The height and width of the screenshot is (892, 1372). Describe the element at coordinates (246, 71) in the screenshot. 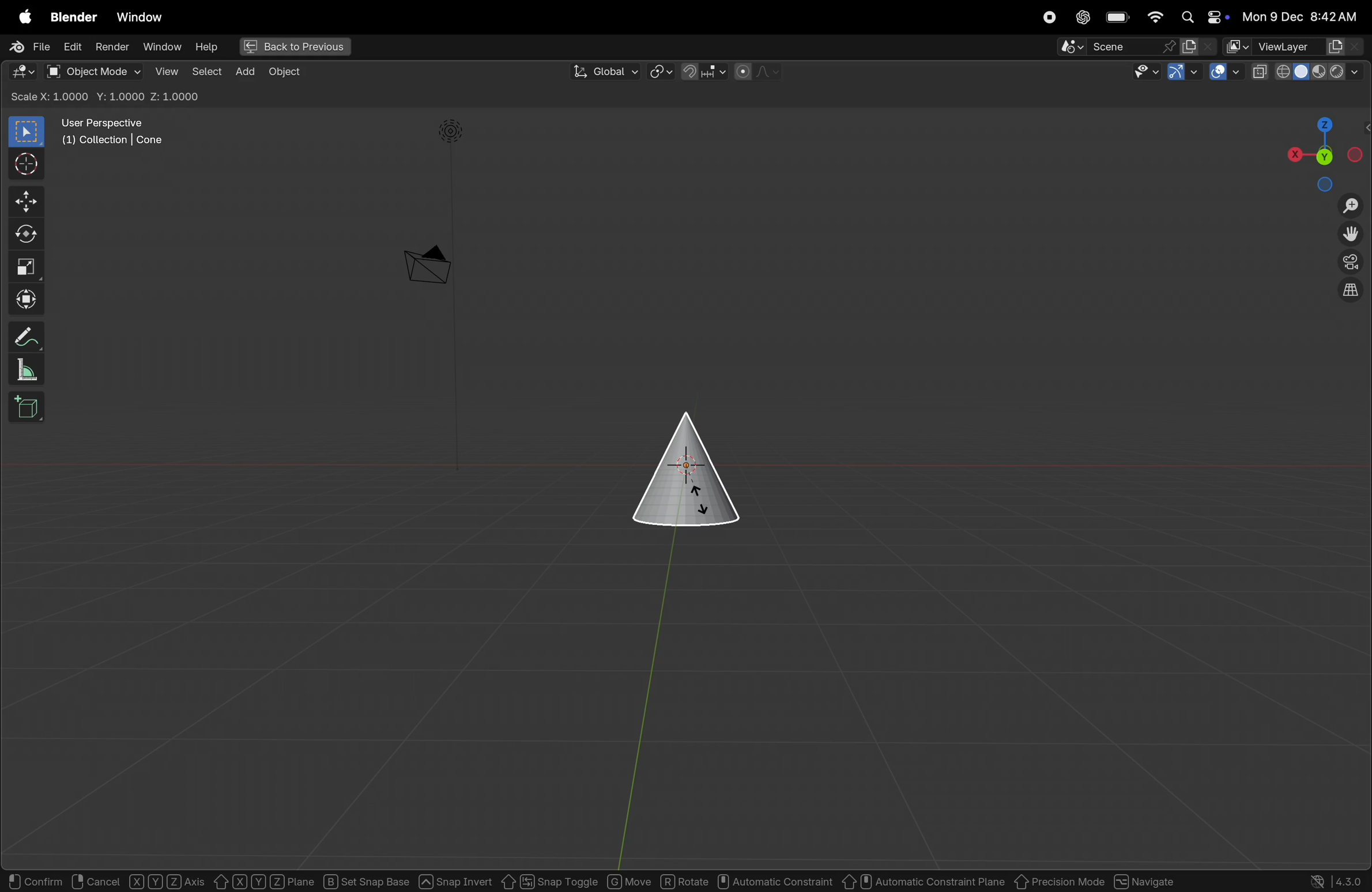

I see `add` at that location.